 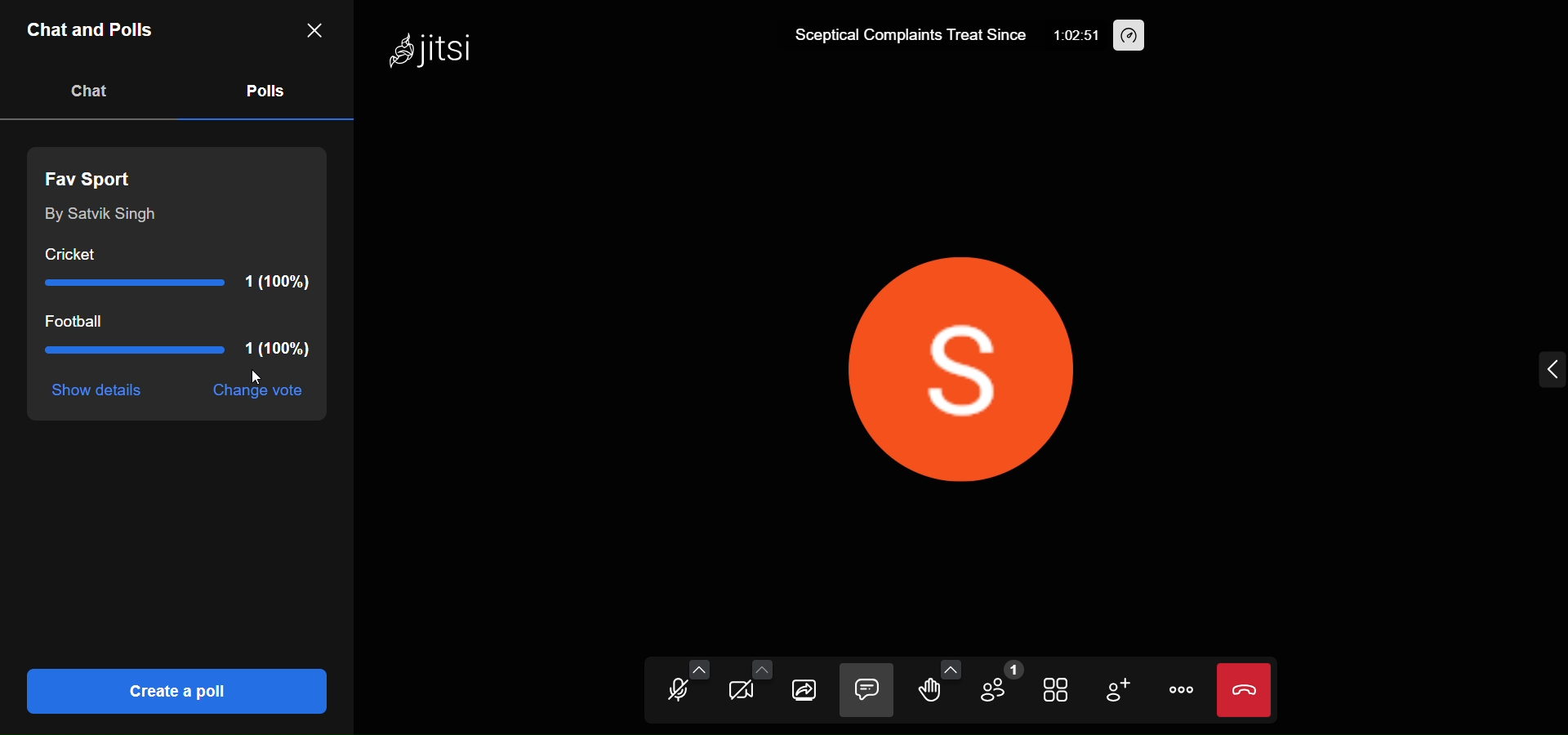 I want to click on chats, so click(x=90, y=91).